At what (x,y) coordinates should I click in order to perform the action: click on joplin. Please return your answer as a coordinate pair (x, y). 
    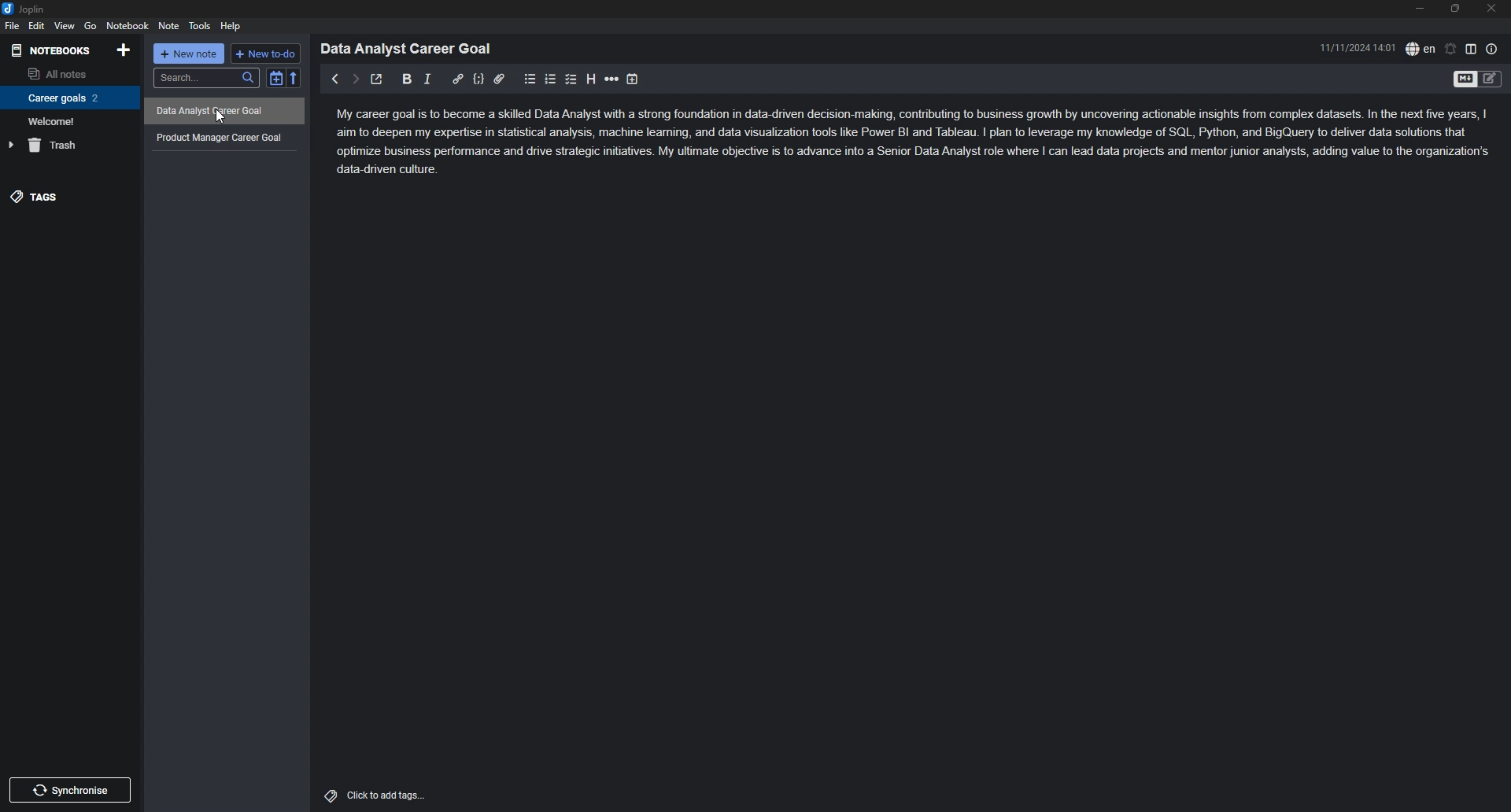
    Looking at the image, I should click on (25, 9).